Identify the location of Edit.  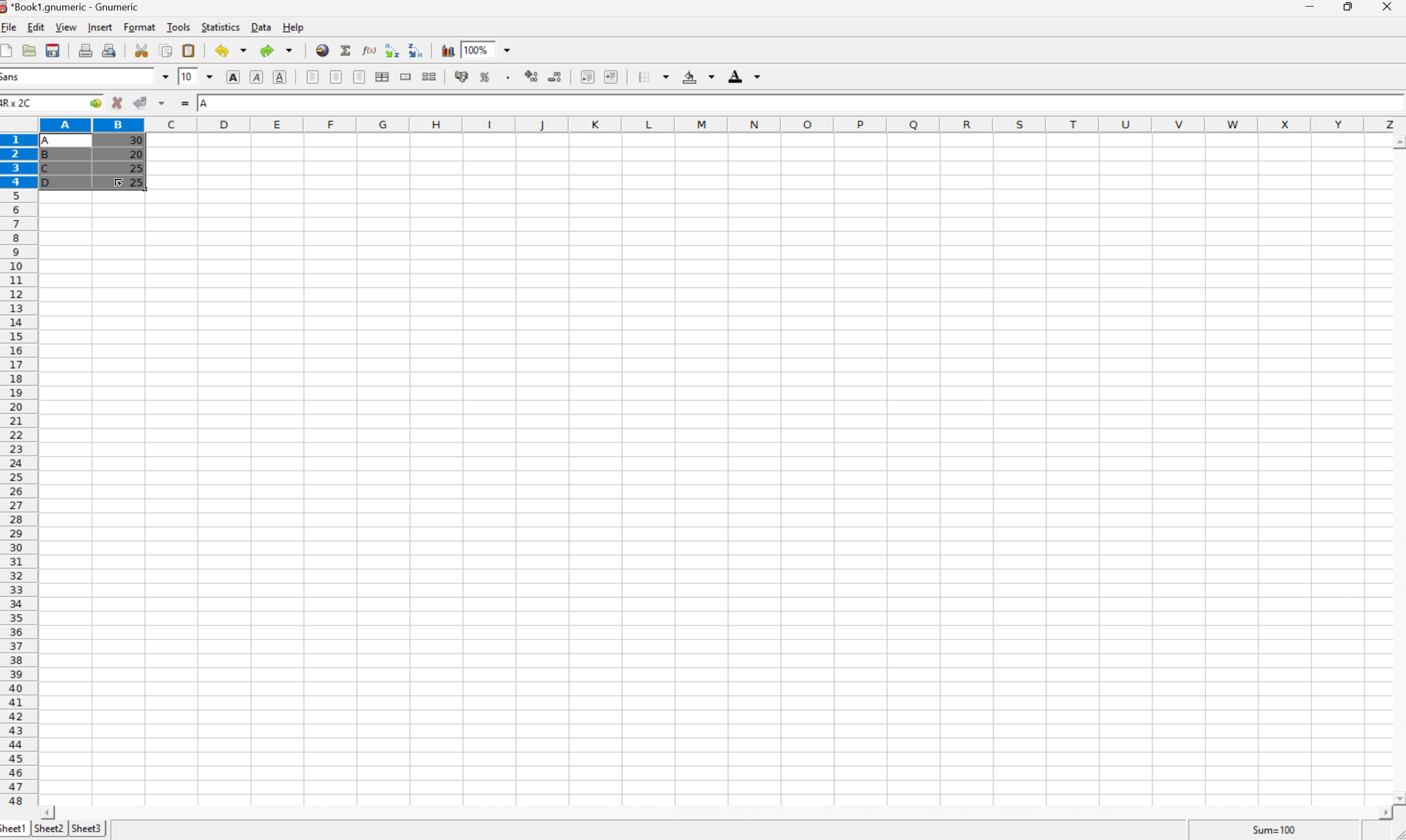
(36, 27).